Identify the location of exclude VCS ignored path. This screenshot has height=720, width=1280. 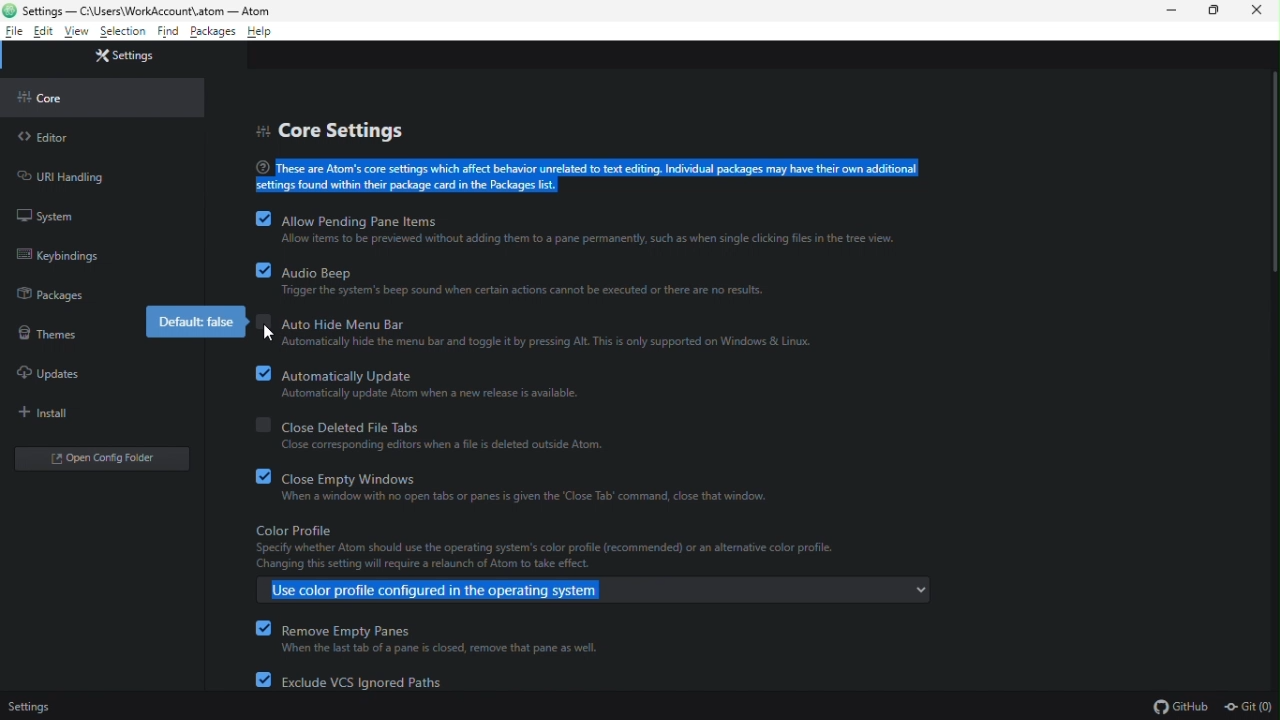
(359, 680).